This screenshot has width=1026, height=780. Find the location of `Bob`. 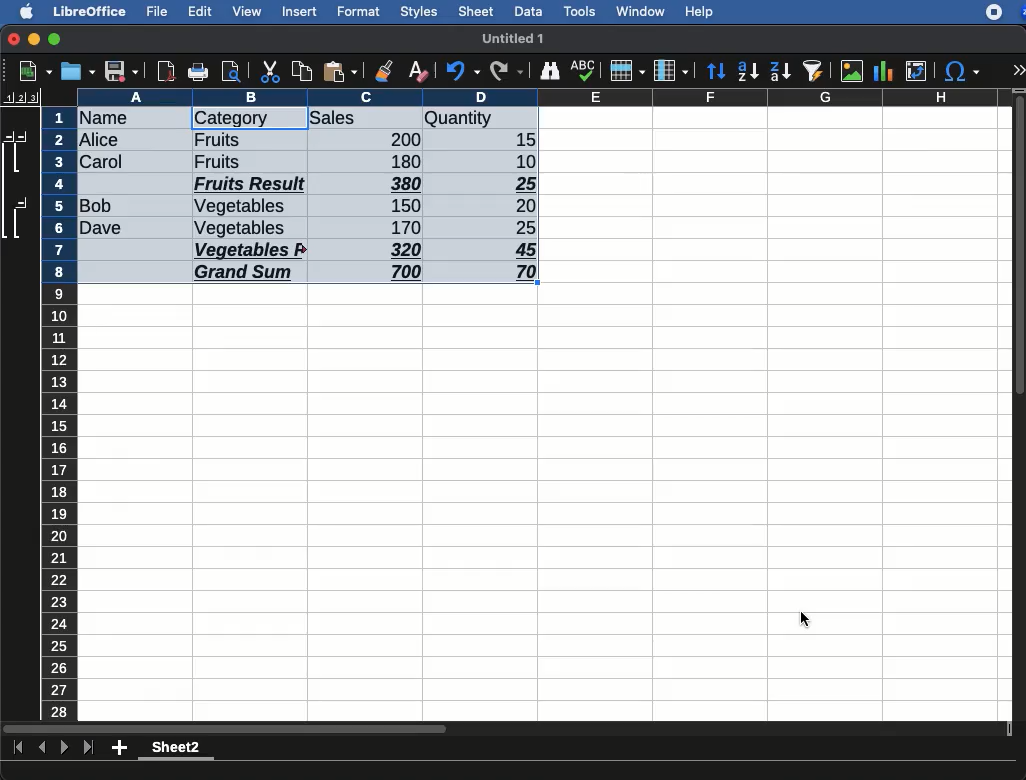

Bob is located at coordinates (101, 204).